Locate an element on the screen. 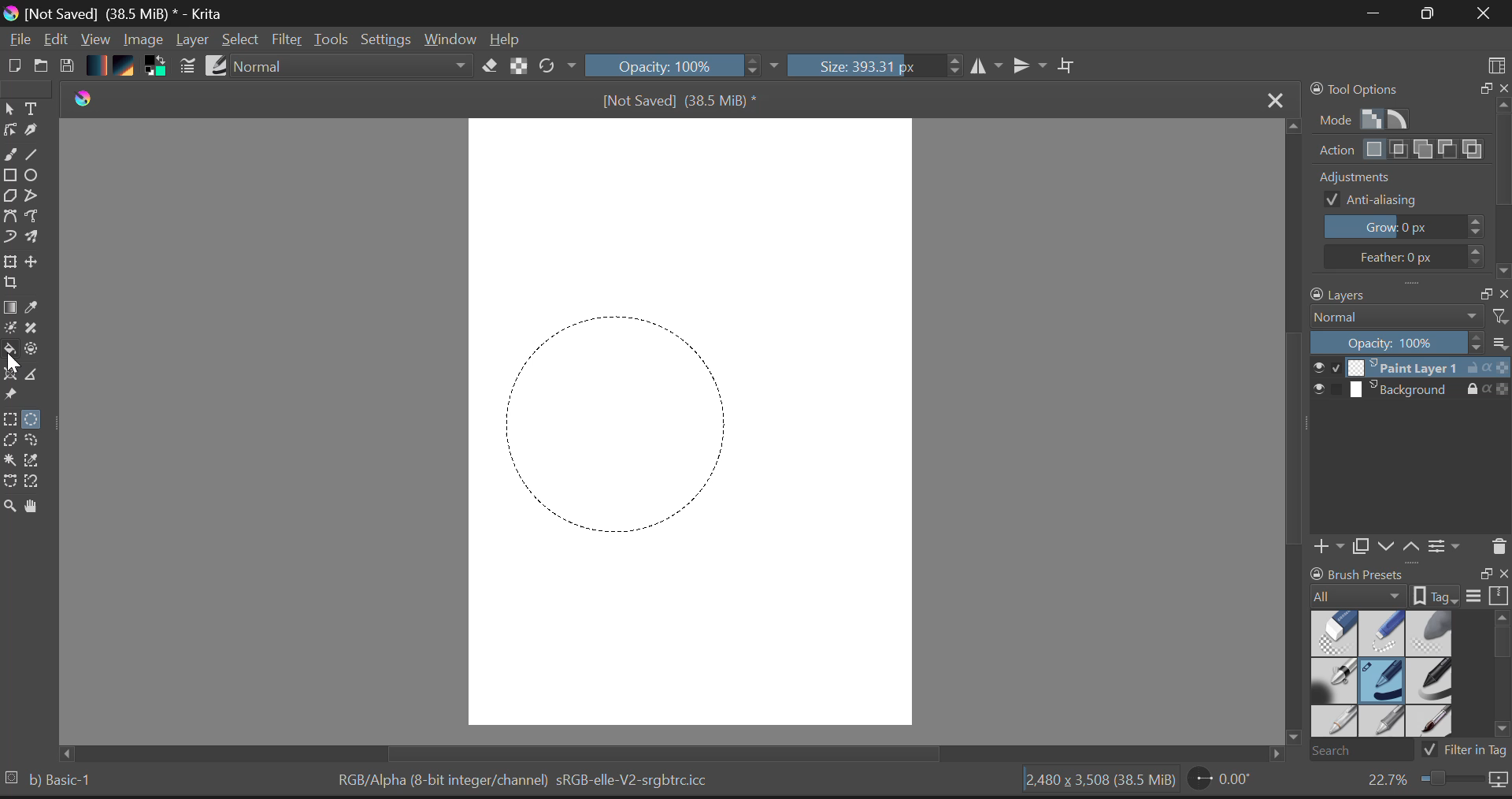 This screenshot has height=799, width=1512. Multibrush Tool is located at coordinates (37, 238).